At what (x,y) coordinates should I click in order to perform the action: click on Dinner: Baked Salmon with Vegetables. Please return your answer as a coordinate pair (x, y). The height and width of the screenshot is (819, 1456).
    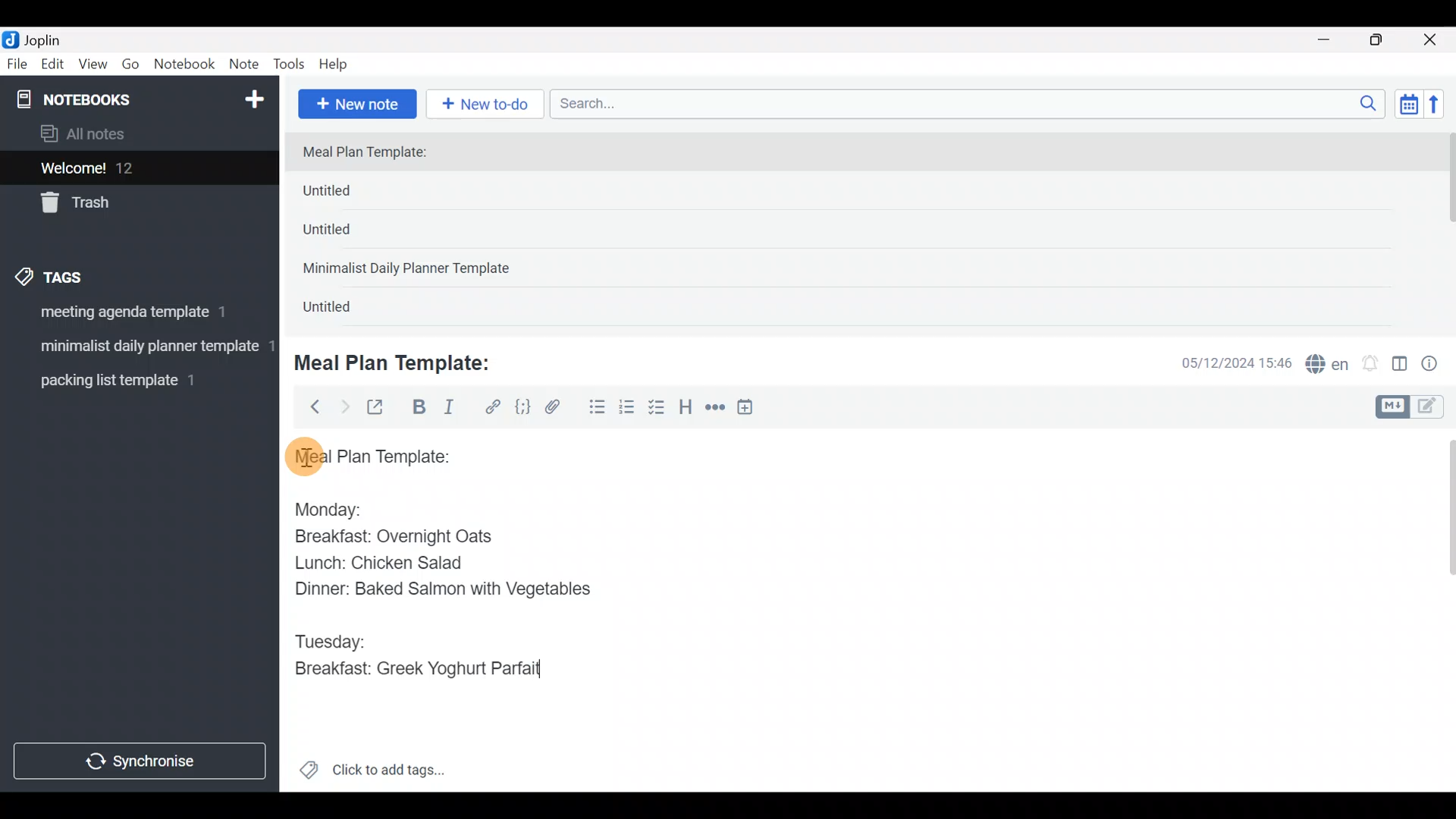
    Looking at the image, I should click on (439, 588).